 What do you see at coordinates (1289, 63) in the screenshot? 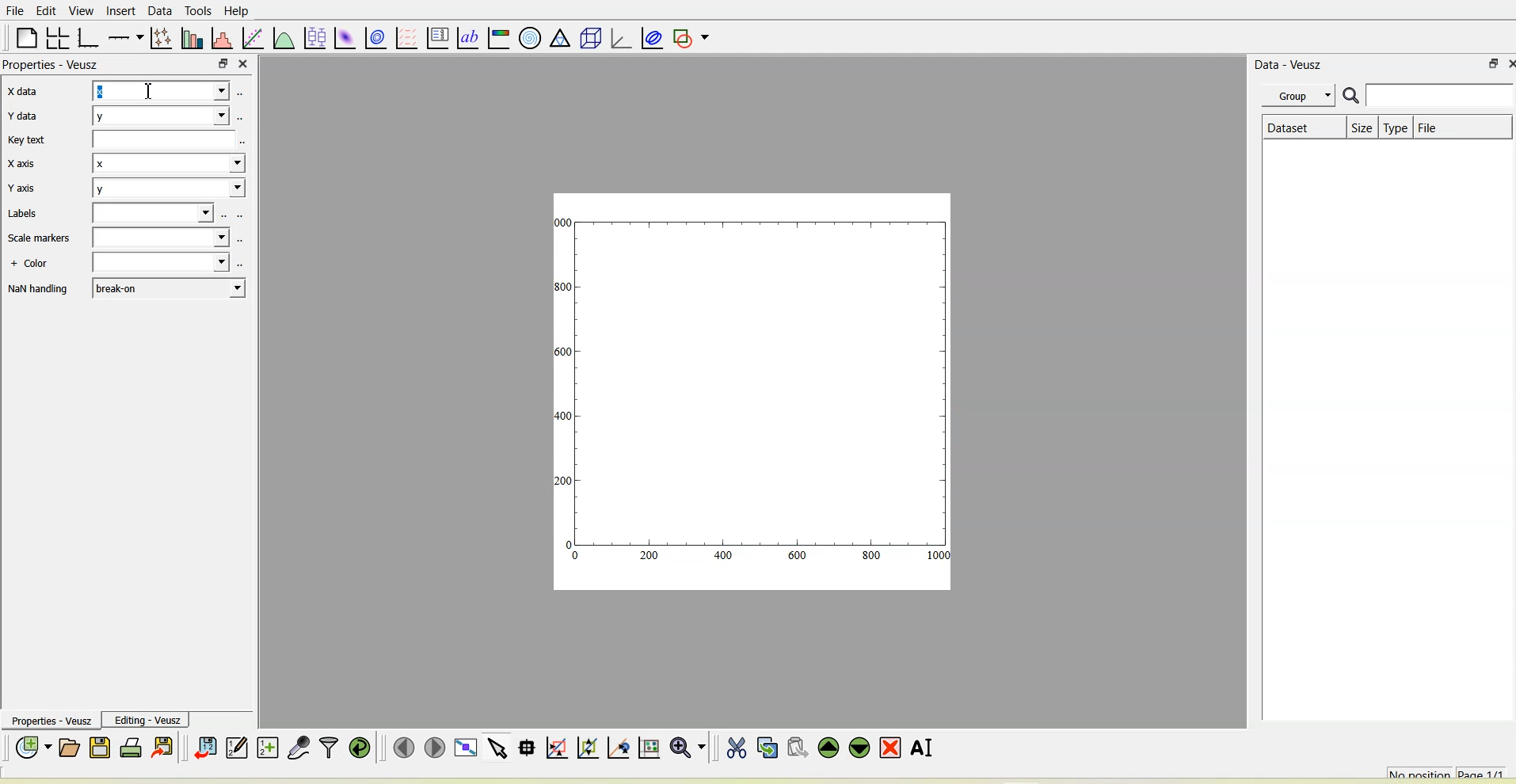
I see `Data - Veusz` at bounding box center [1289, 63].